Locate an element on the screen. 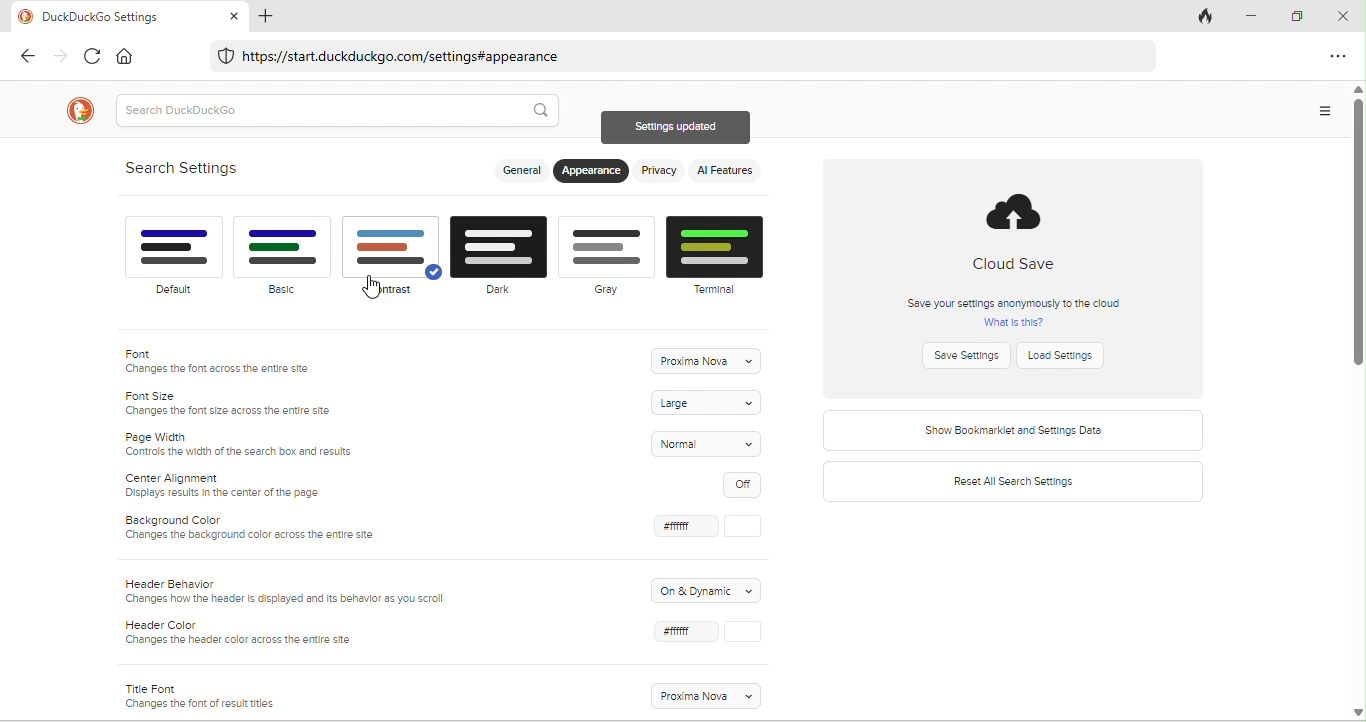  privacy is located at coordinates (660, 172).